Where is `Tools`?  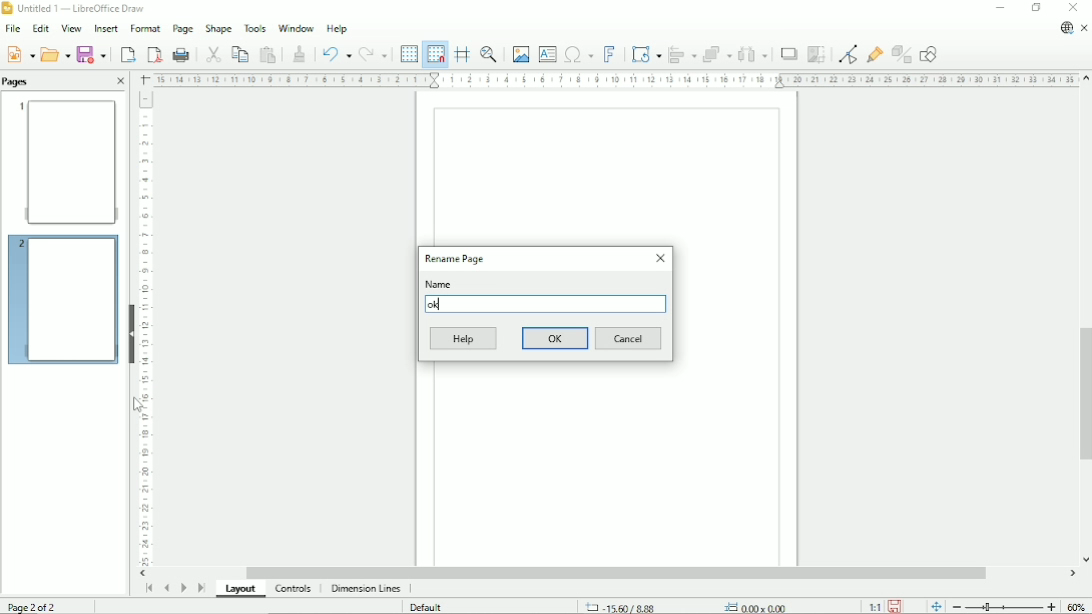 Tools is located at coordinates (255, 27).